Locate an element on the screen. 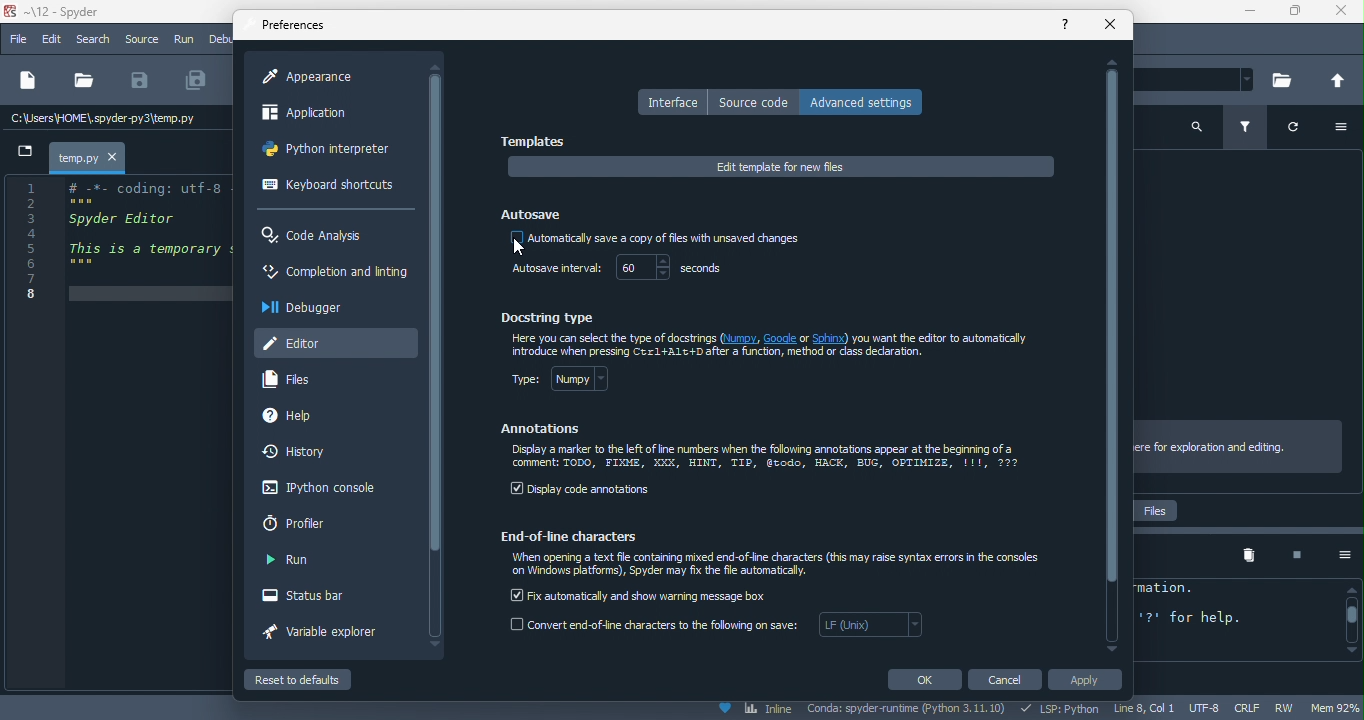 Image resolution: width=1364 pixels, height=720 pixels. cursor movement is located at coordinates (514, 247).